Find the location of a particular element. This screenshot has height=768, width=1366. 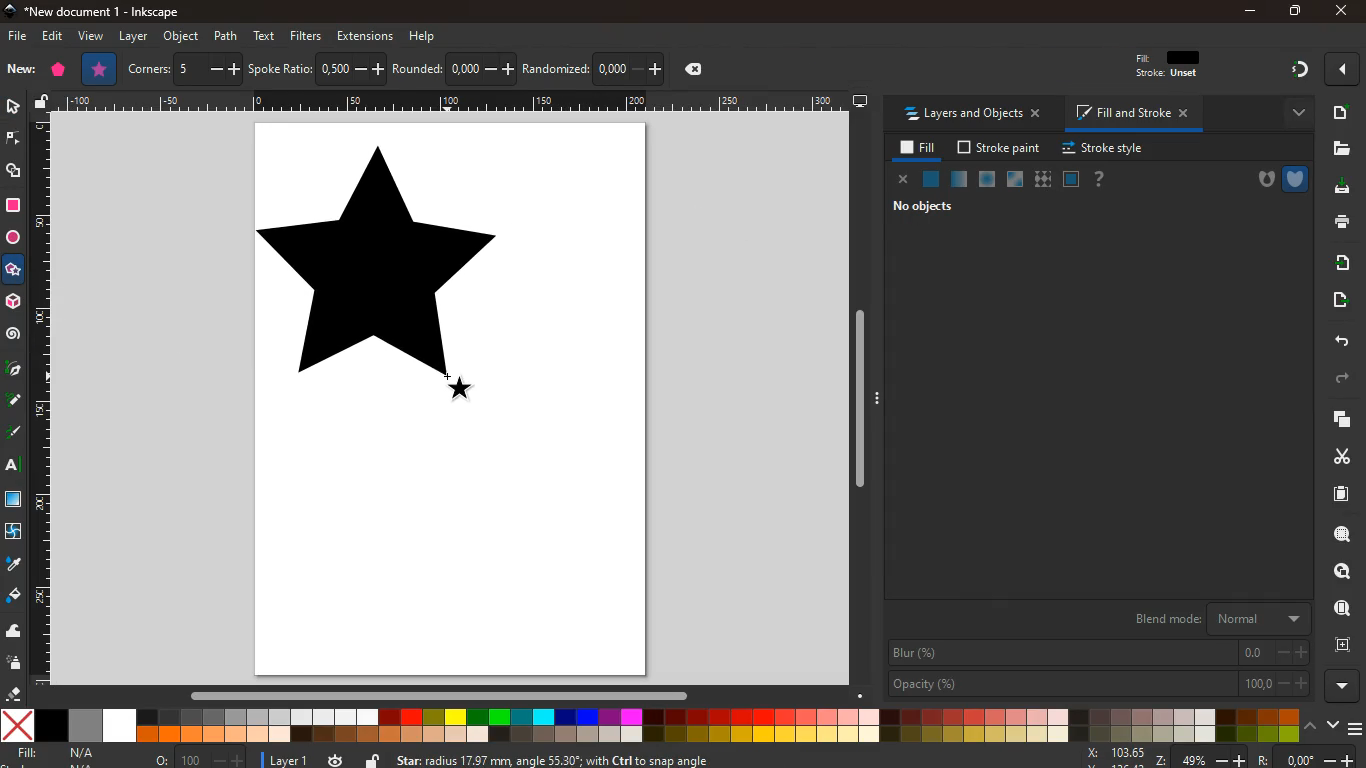

find is located at coordinates (1338, 608).